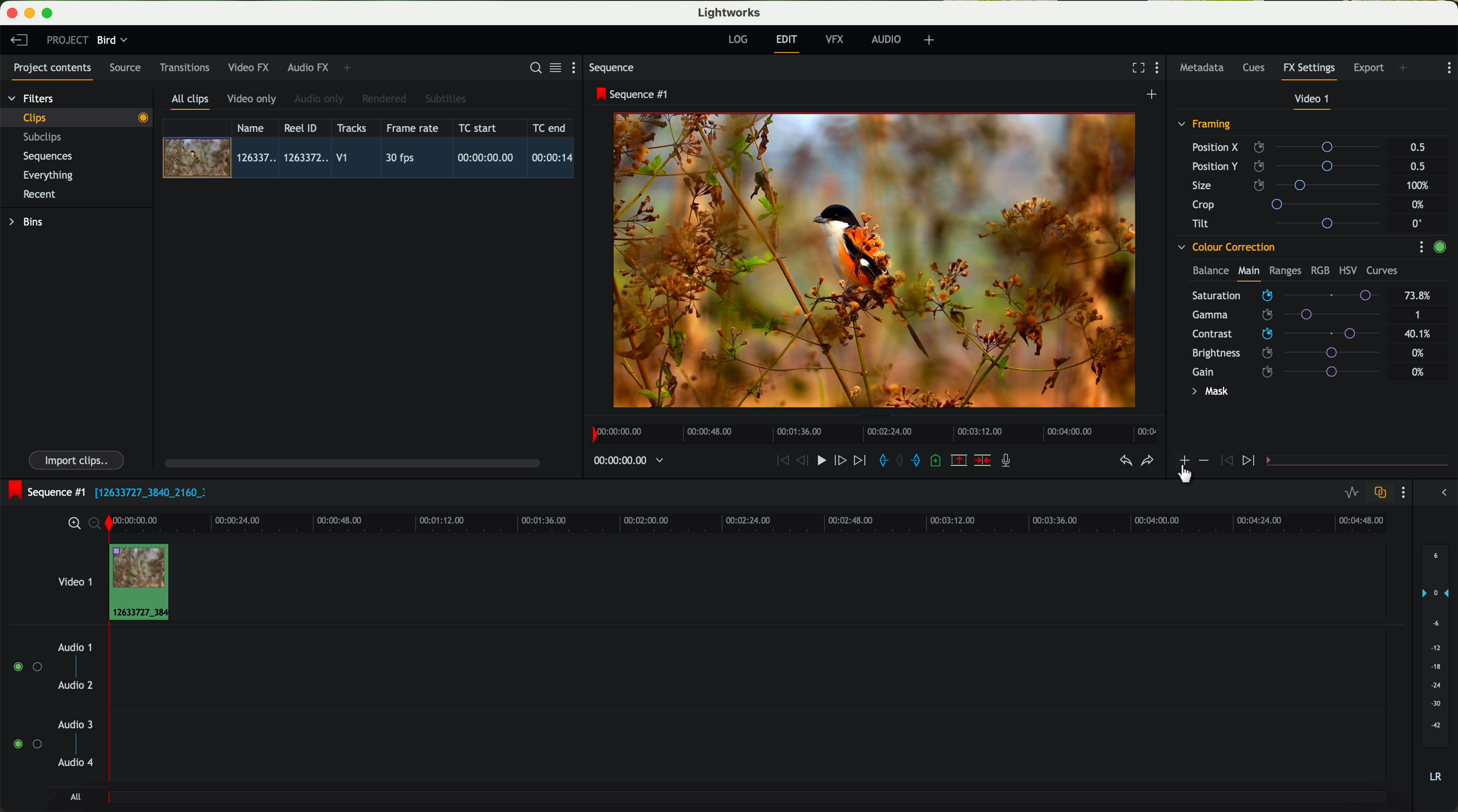 The width and height of the screenshot is (1458, 812). Describe the element at coordinates (479, 127) in the screenshot. I see `TC start` at that location.